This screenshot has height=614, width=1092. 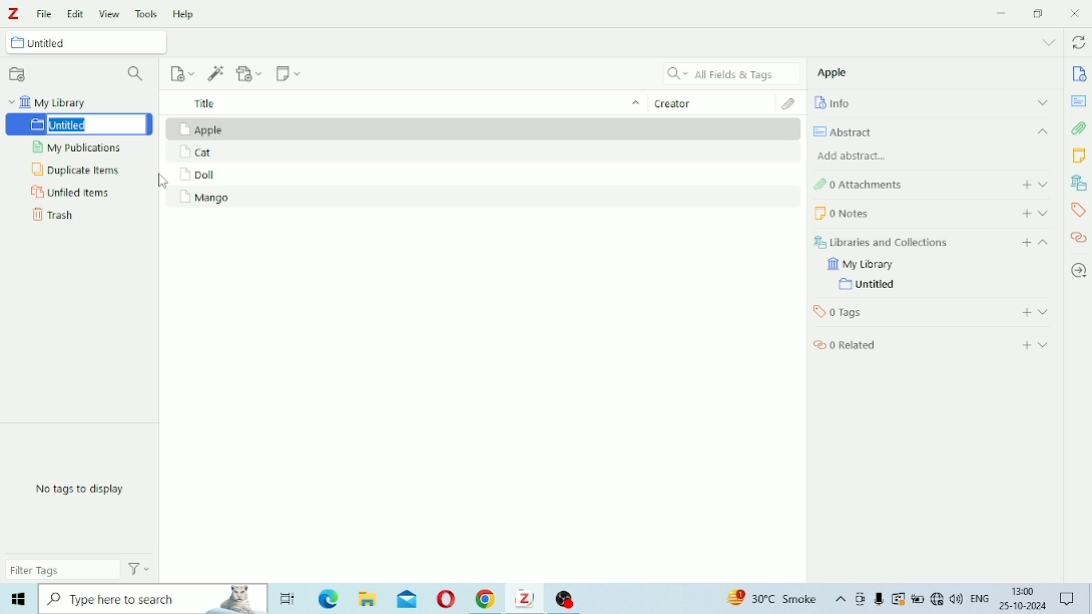 What do you see at coordinates (1067, 598) in the screenshot?
I see `` at bounding box center [1067, 598].